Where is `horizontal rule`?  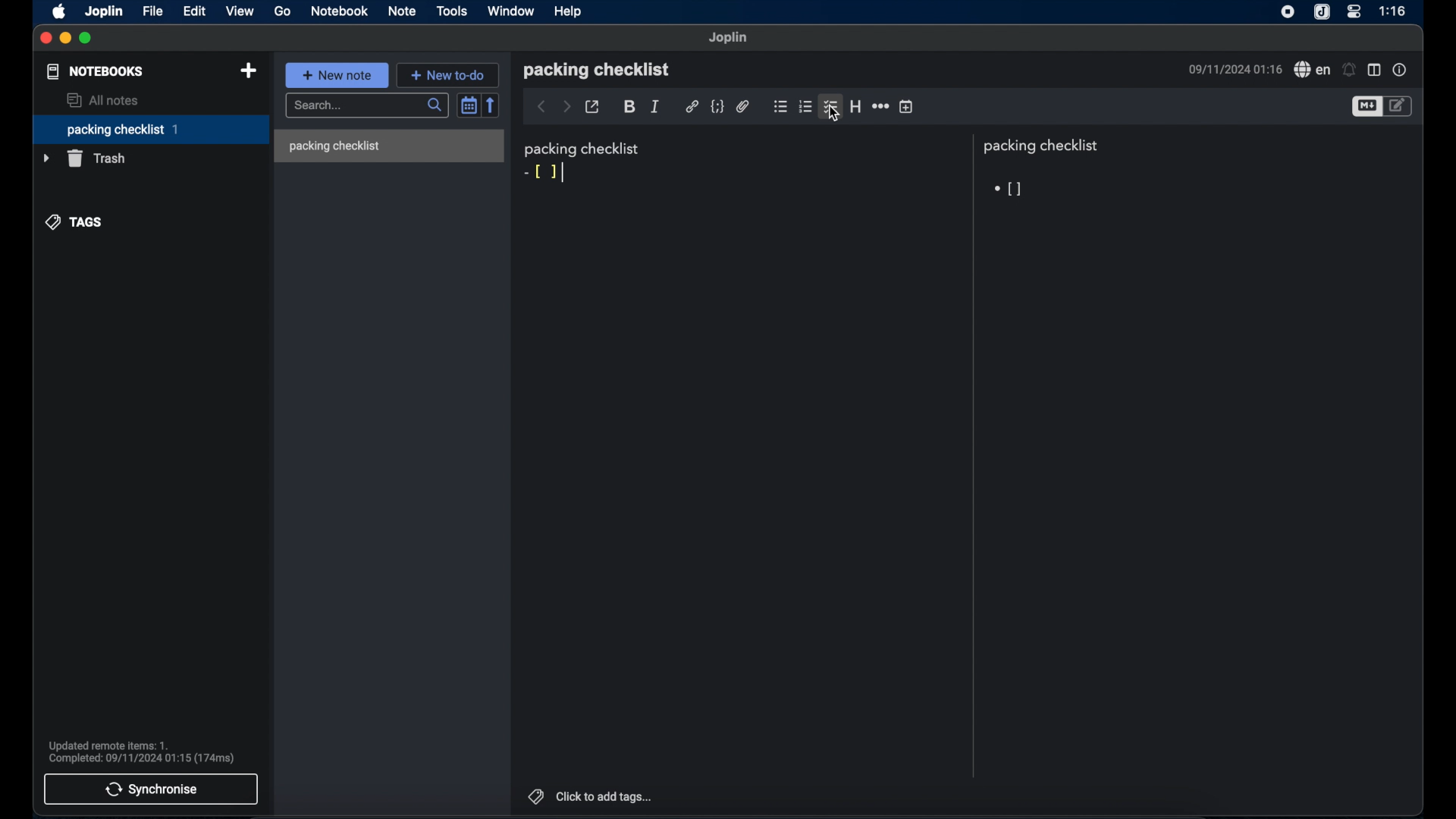 horizontal rule is located at coordinates (880, 107).